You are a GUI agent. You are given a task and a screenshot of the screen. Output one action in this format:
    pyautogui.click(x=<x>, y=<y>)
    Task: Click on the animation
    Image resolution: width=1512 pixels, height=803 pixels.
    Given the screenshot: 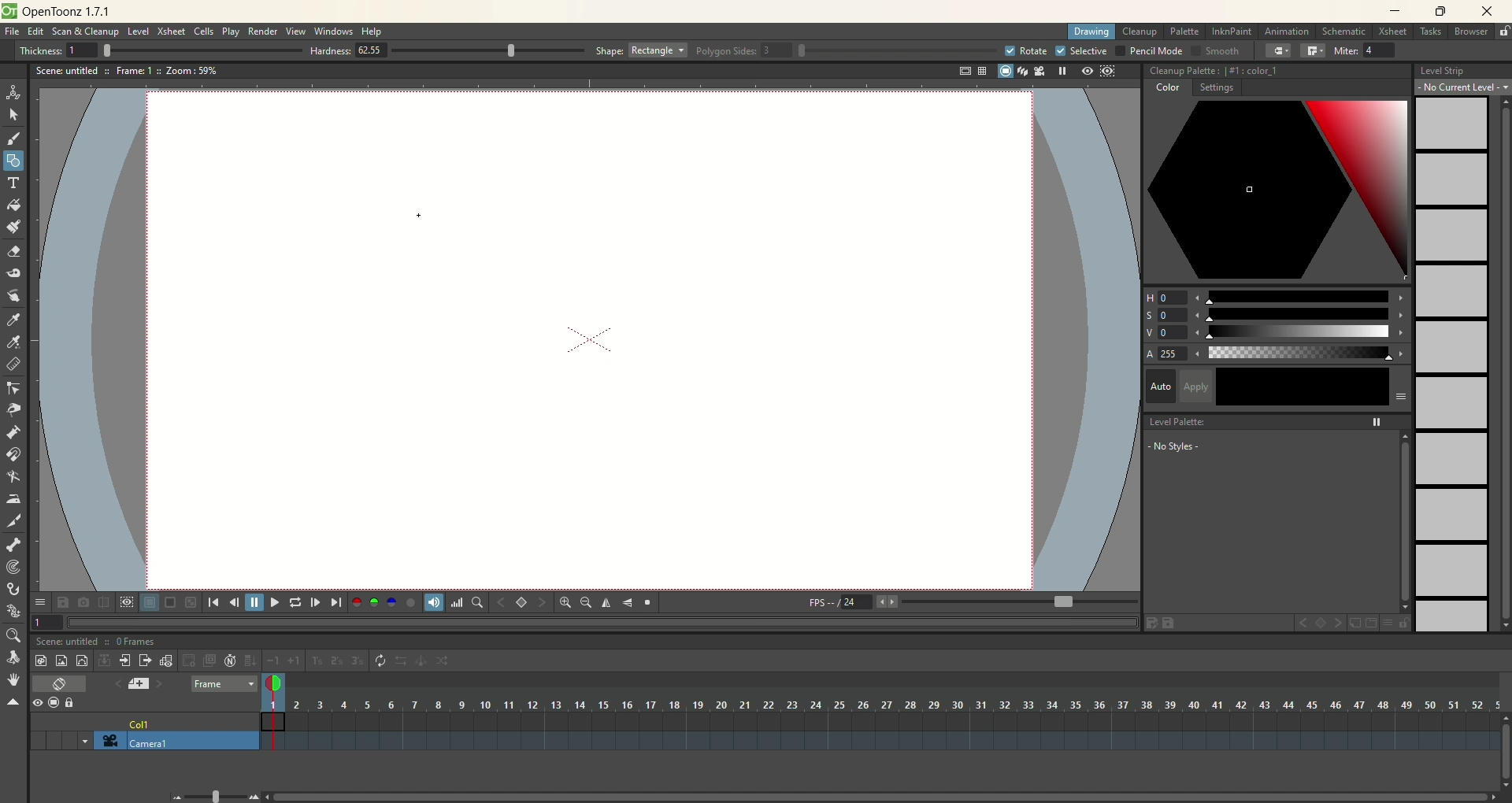 What is the action you would take?
    pyautogui.click(x=1290, y=32)
    